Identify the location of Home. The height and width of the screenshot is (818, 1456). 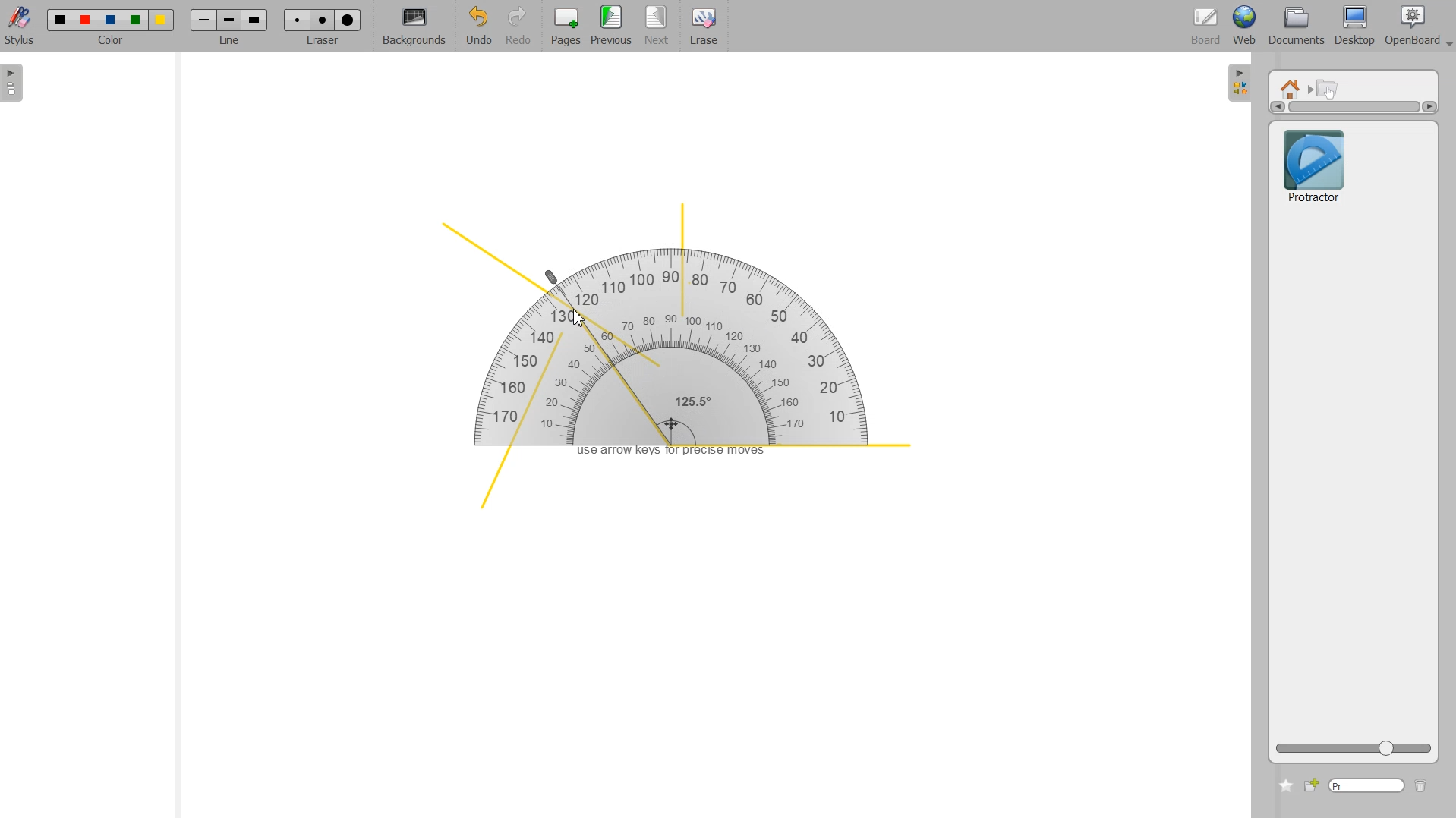
(1293, 88).